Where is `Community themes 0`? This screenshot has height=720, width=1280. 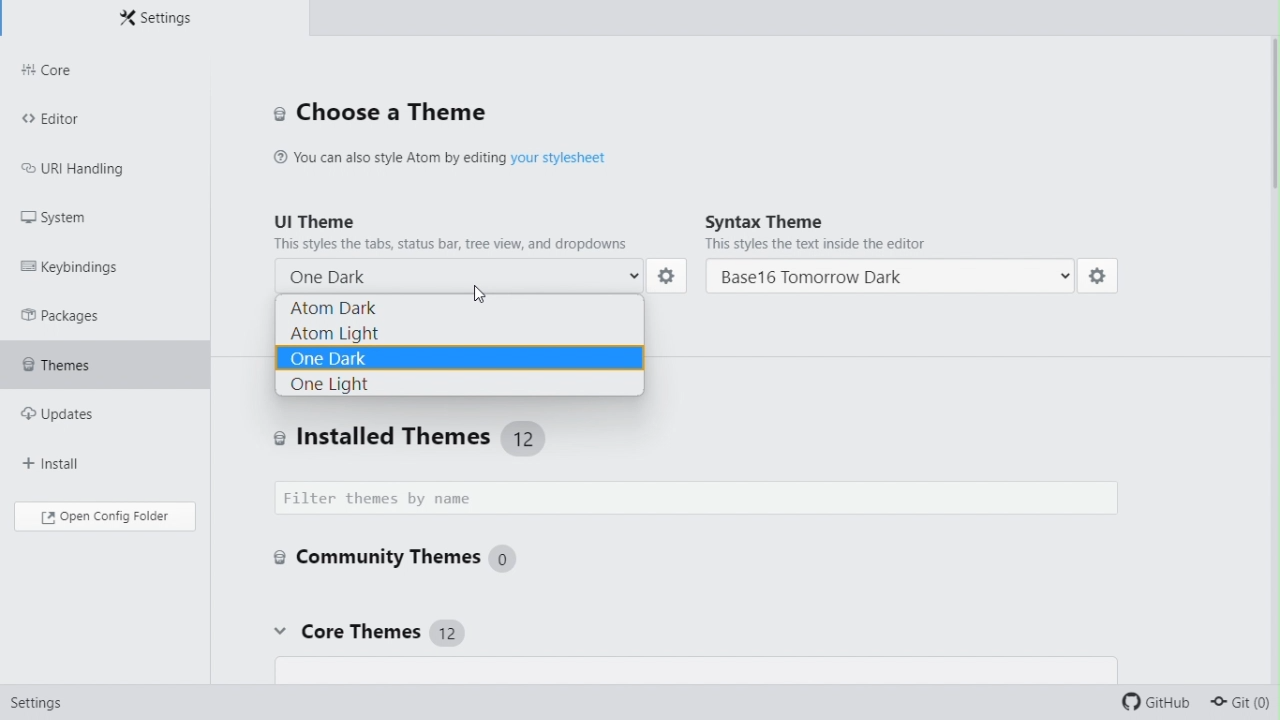 Community themes 0 is located at coordinates (394, 556).